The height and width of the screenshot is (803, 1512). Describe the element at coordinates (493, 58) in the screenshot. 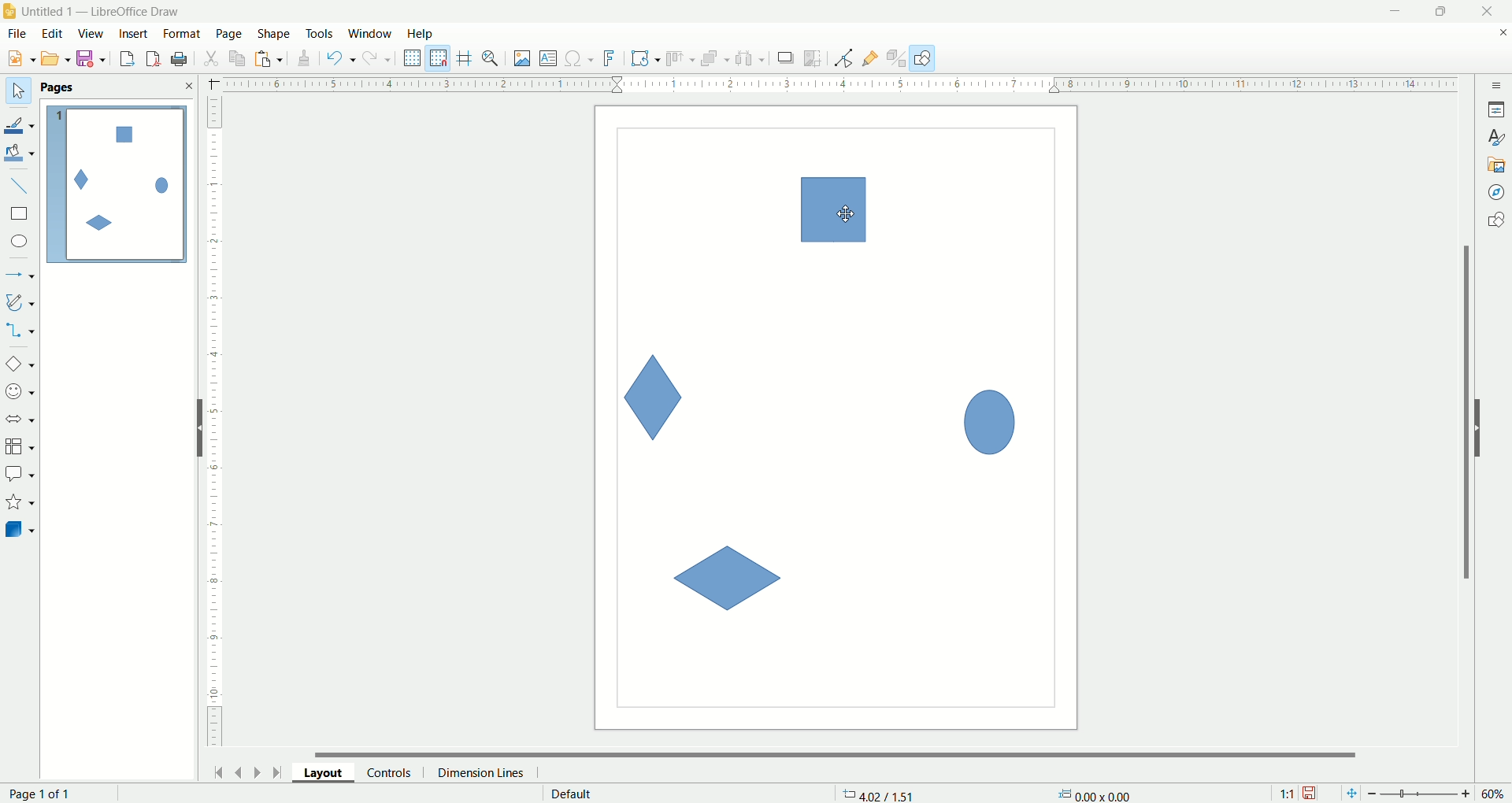

I see `zo` at that location.